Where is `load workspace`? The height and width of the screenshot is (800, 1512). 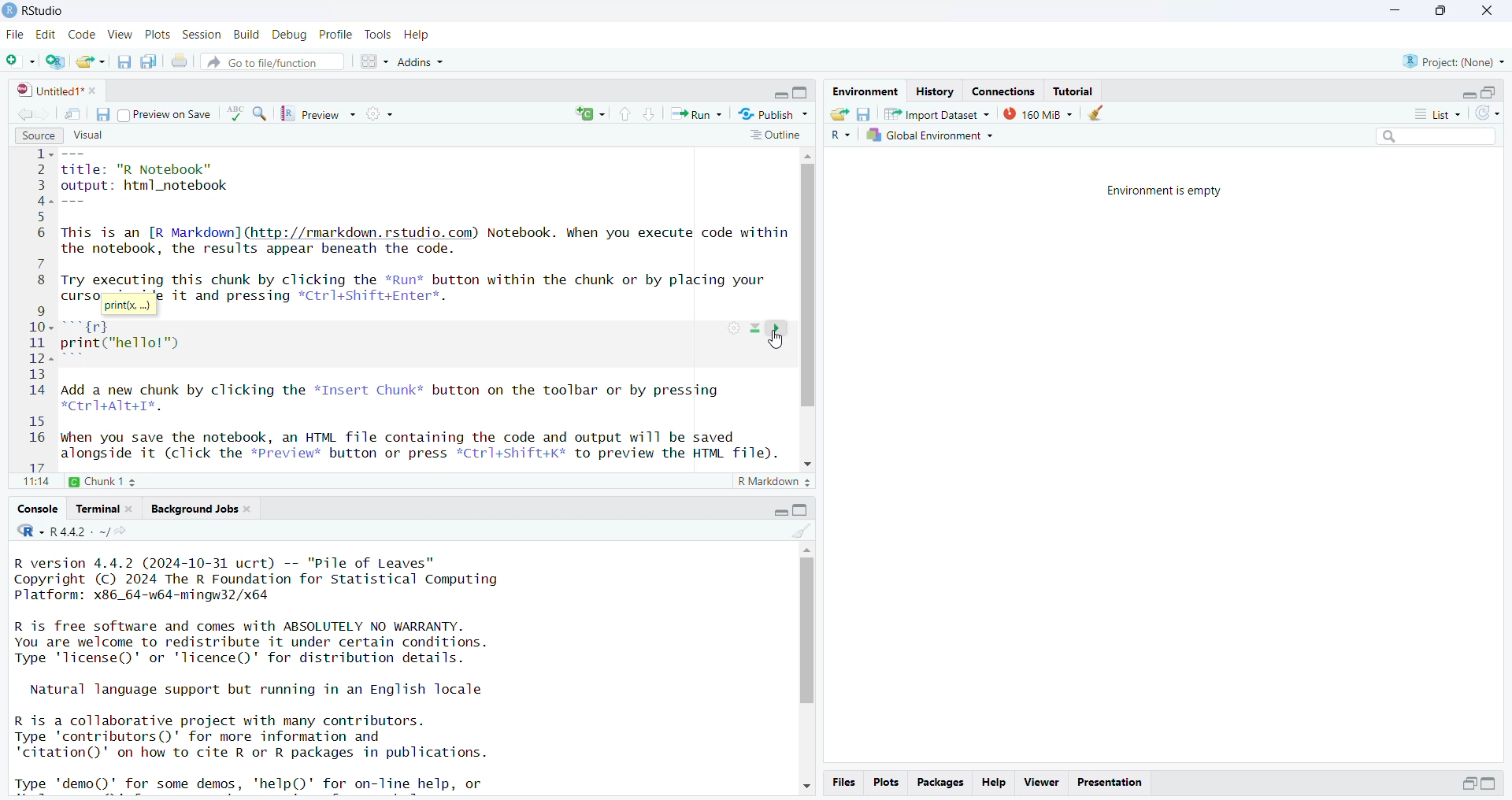 load workspace is located at coordinates (839, 113).